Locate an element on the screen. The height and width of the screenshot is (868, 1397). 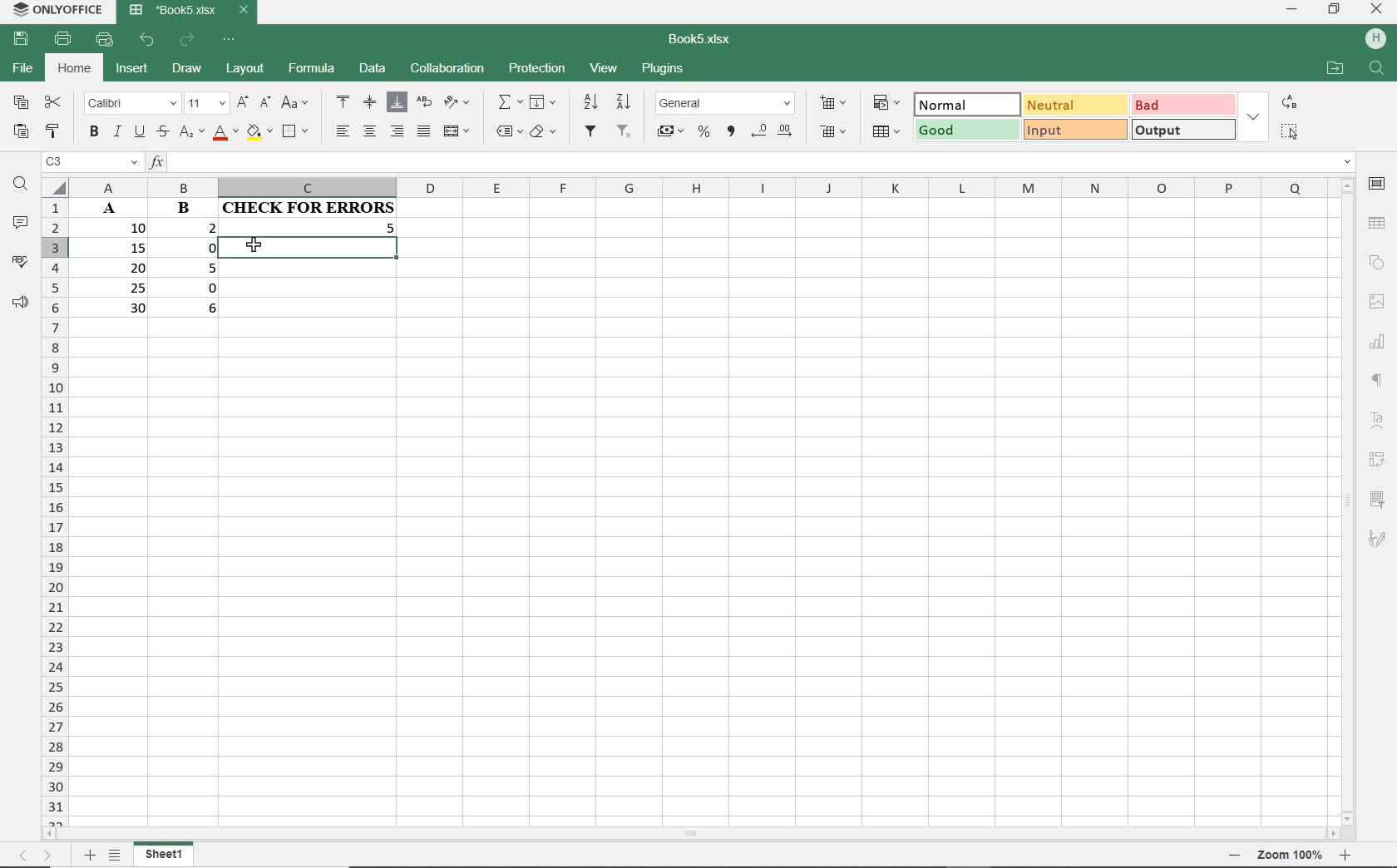
INPUT is located at coordinates (1074, 129).